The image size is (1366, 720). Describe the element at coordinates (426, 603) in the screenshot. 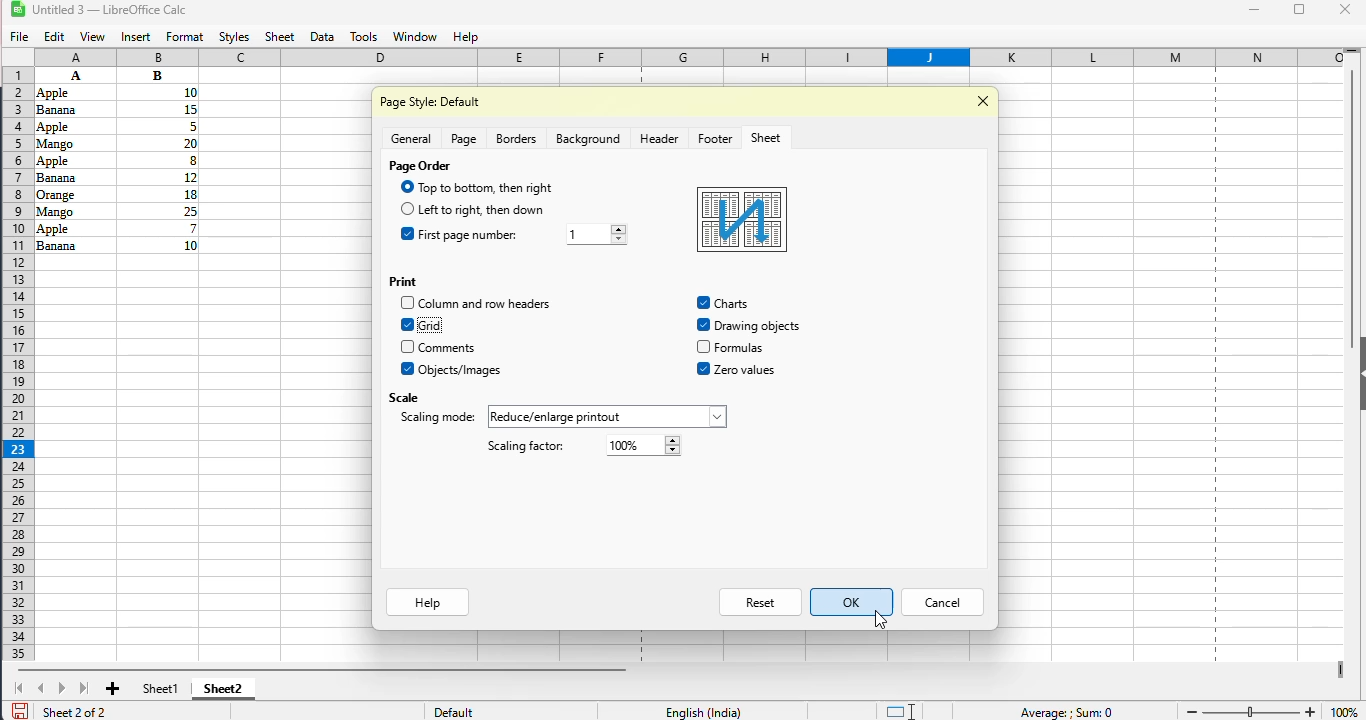

I see `help` at that location.